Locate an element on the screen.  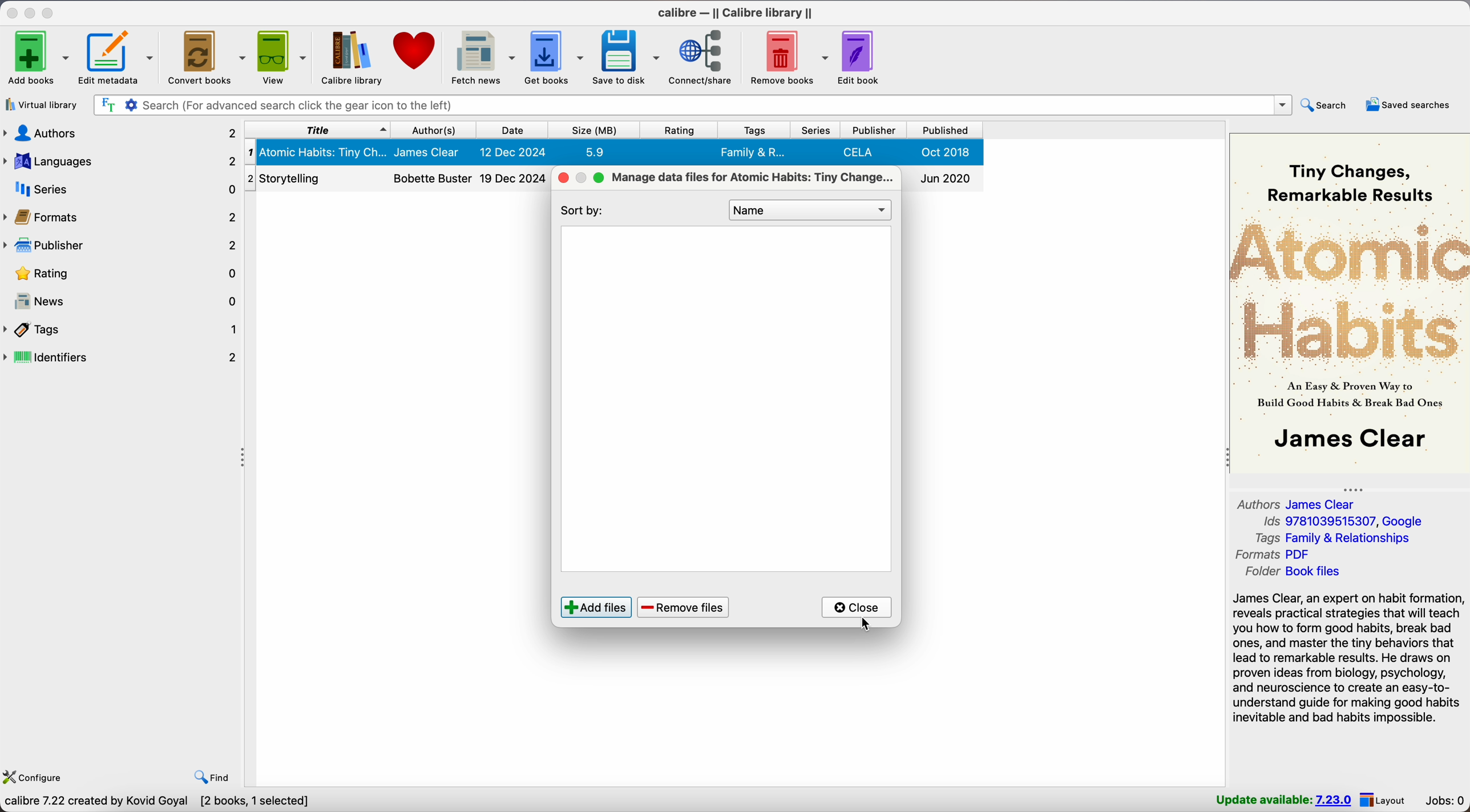
Add books is located at coordinates (37, 56).